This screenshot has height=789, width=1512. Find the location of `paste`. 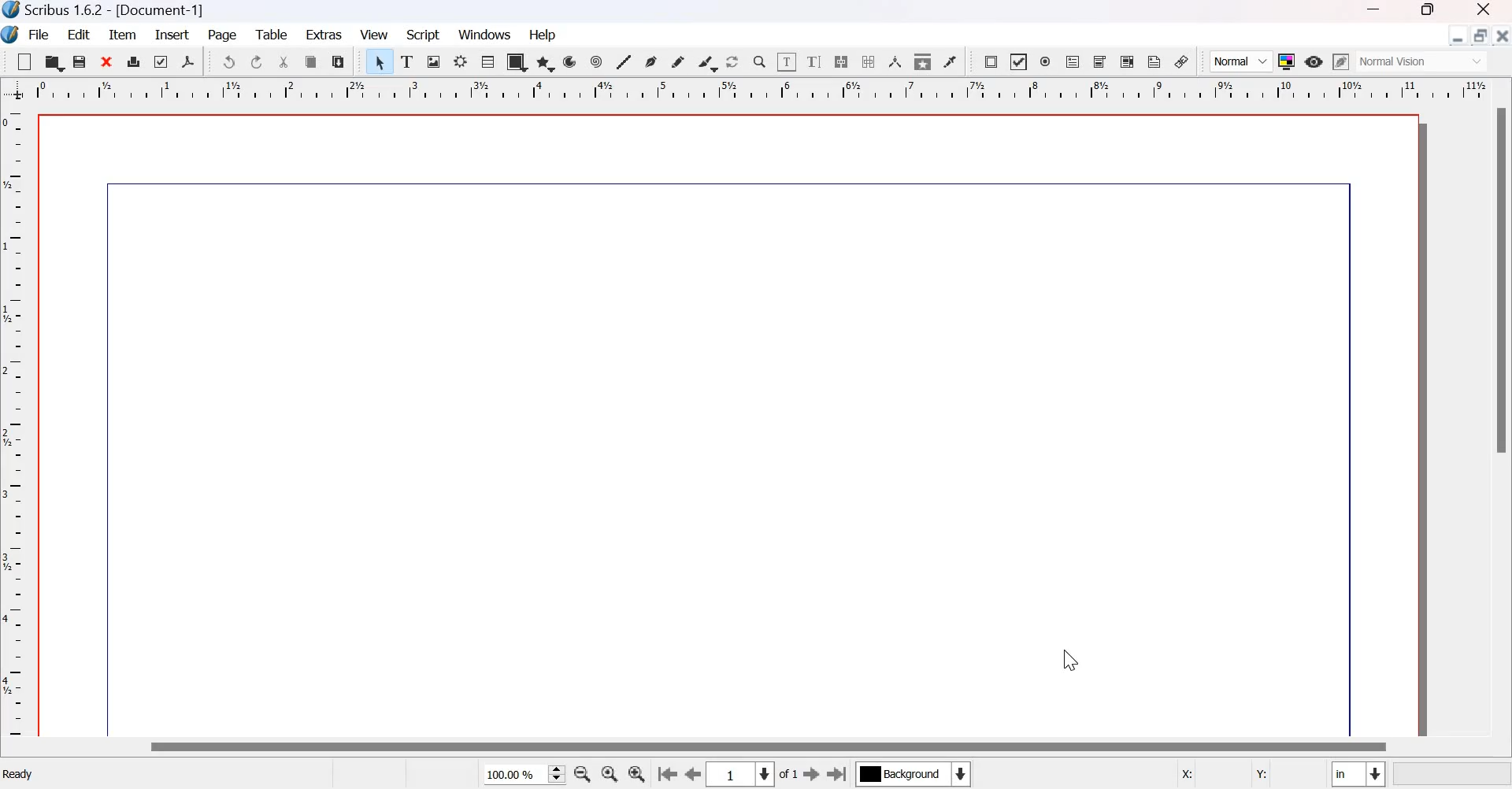

paste is located at coordinates (339, 60).